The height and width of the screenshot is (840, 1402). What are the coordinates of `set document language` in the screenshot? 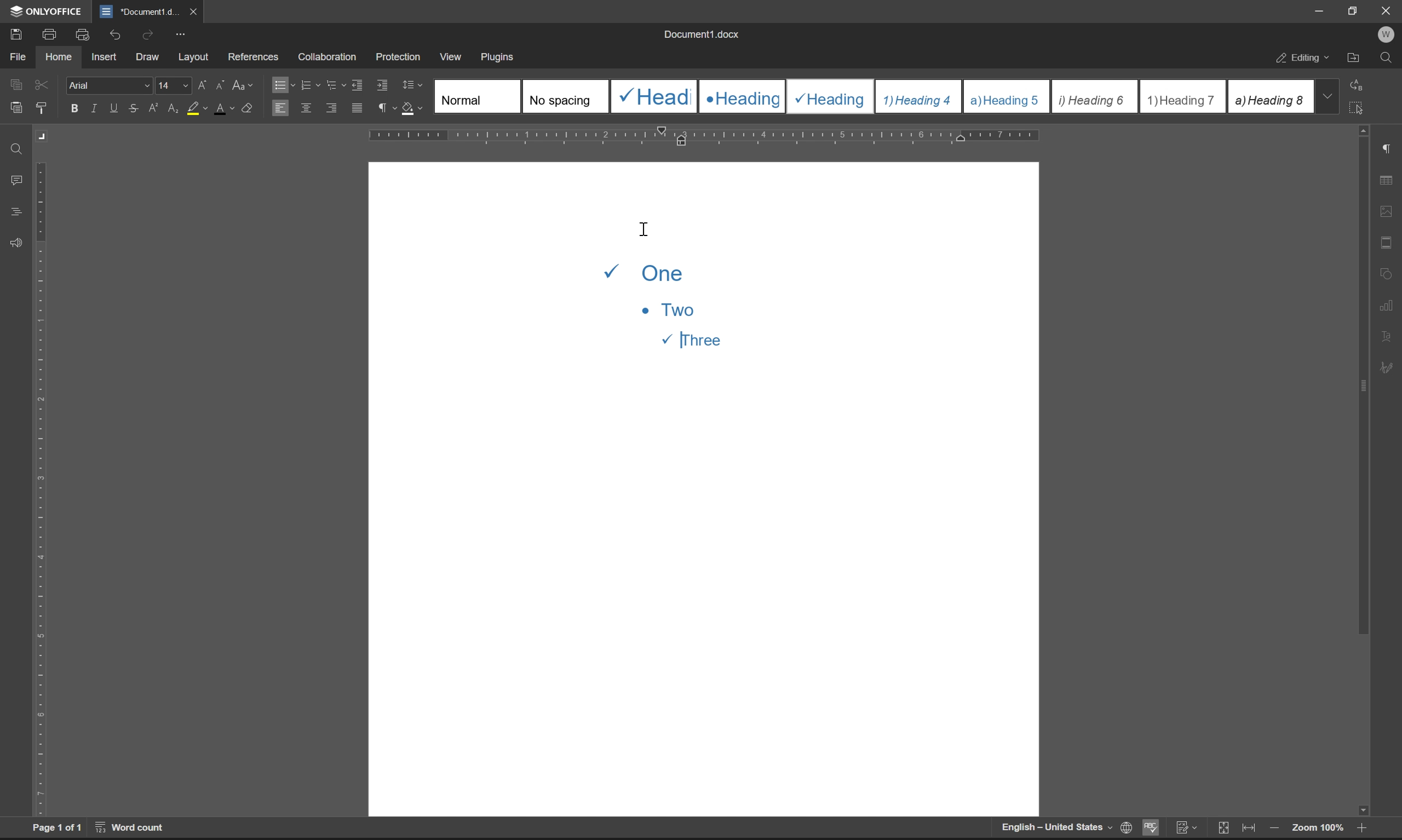 It's located at (1124, 828).